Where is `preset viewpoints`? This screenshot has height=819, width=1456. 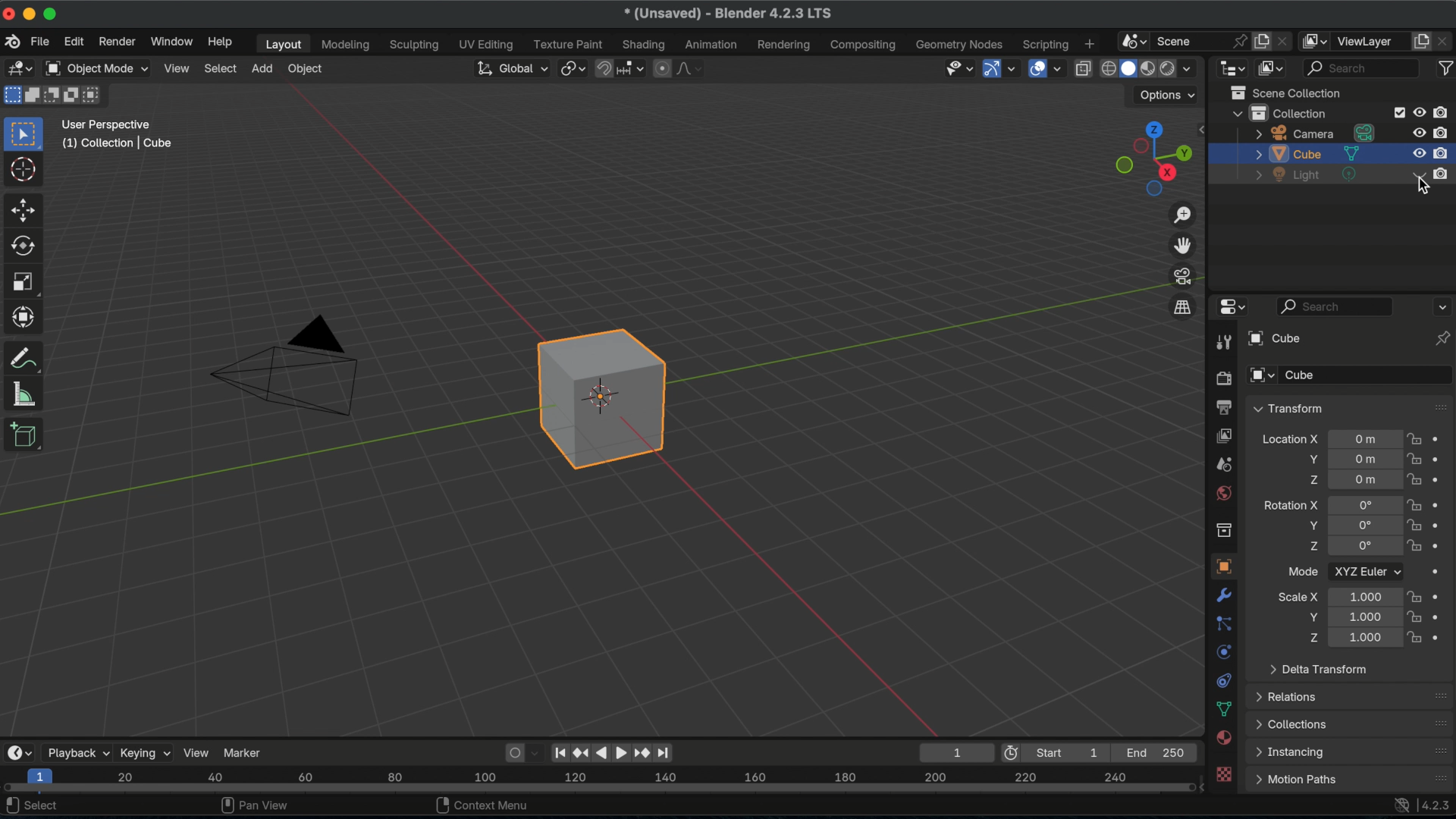 preset viewpoints is located at coordinates (1153, 159).